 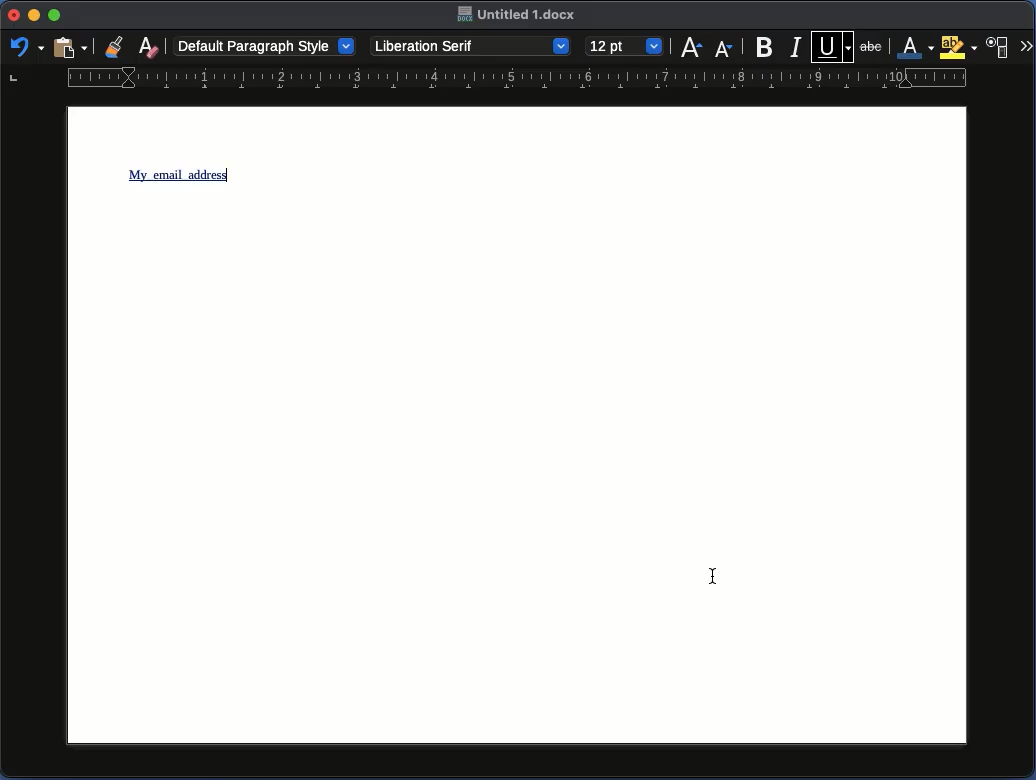 What do you see at coordinates (833, 45) in the screenshot?
I see `Underline` at bounding box center [833, 45].